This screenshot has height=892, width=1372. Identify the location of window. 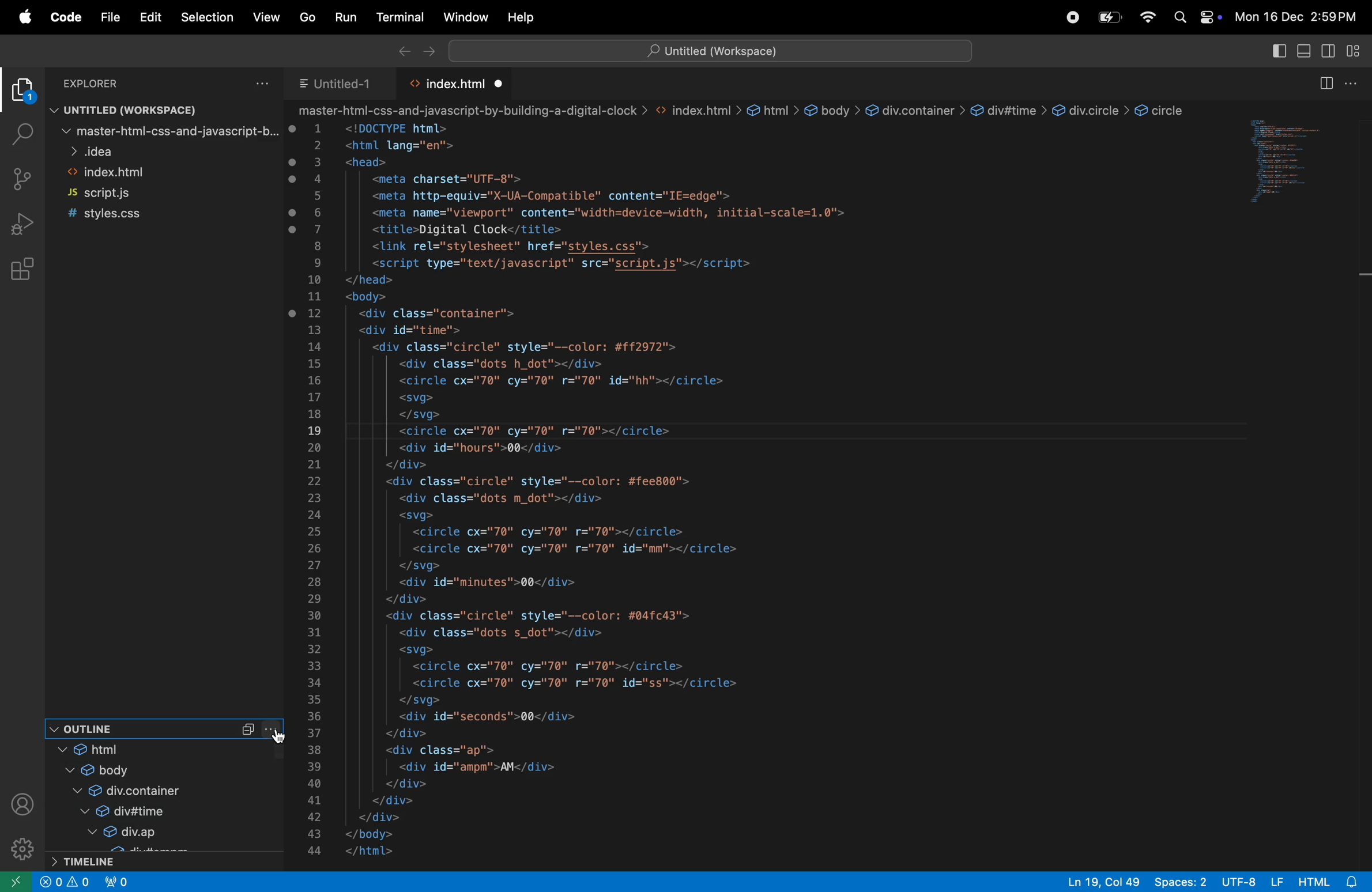
(462, 17).